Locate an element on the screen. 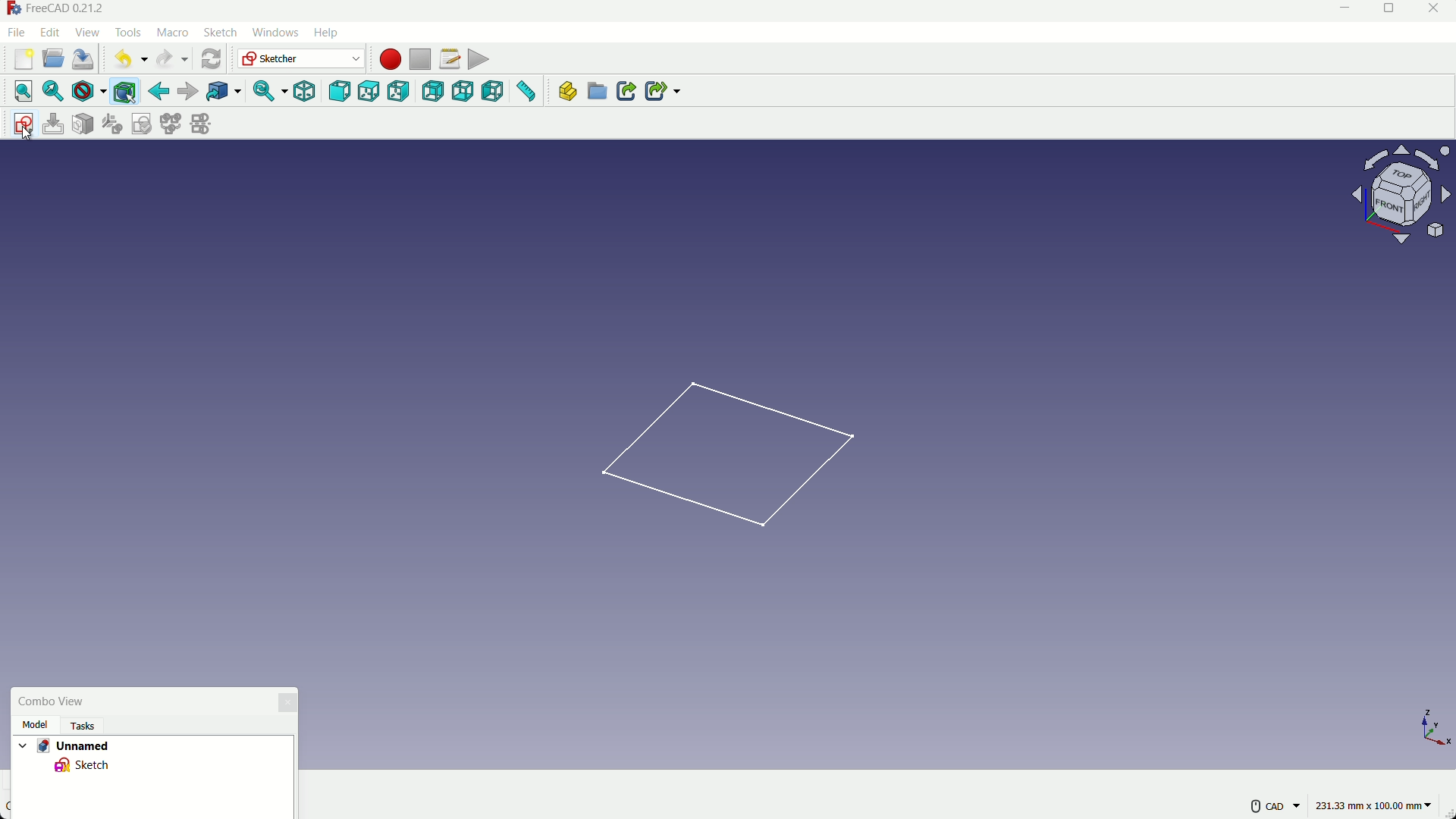 The image size is (1456, 819). view menu is located at coordinates (89, 33).